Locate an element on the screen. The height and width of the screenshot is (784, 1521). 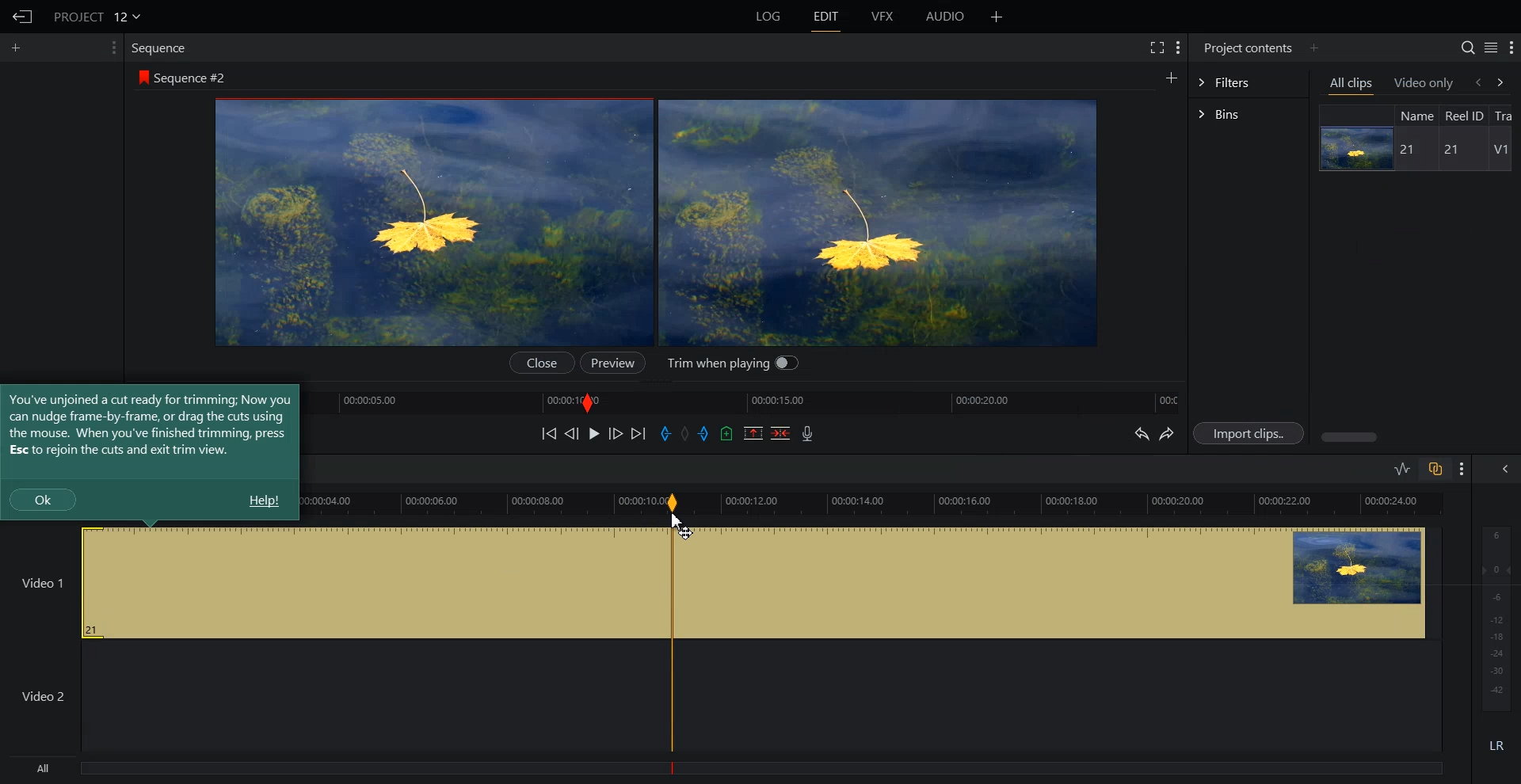
Move Forward is located at coordinates (638, 433).